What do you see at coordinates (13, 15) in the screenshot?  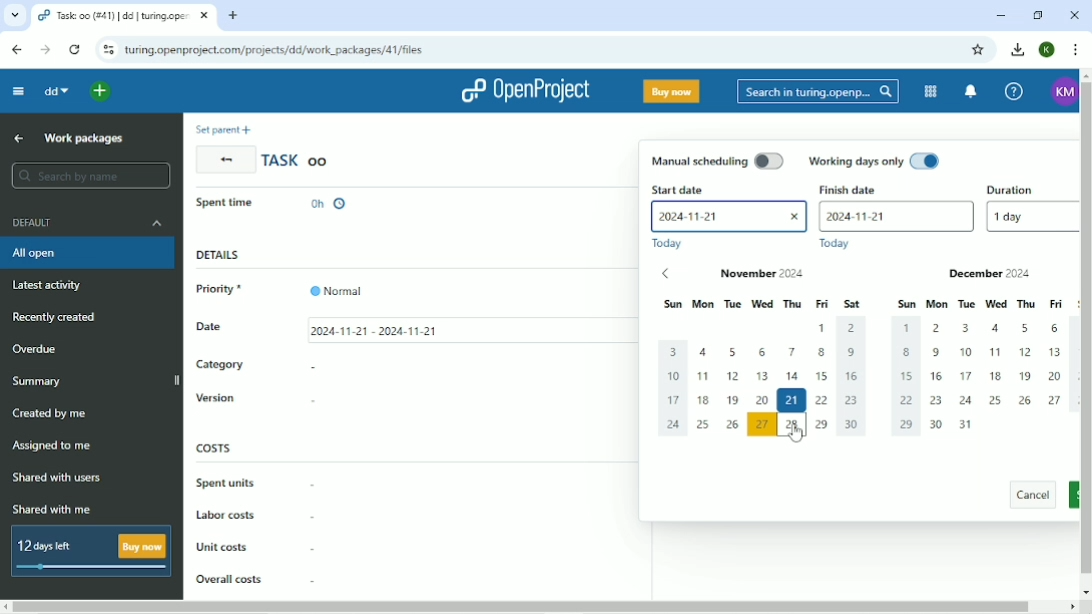 I see `Search tab` at bounding box center [13, 15].